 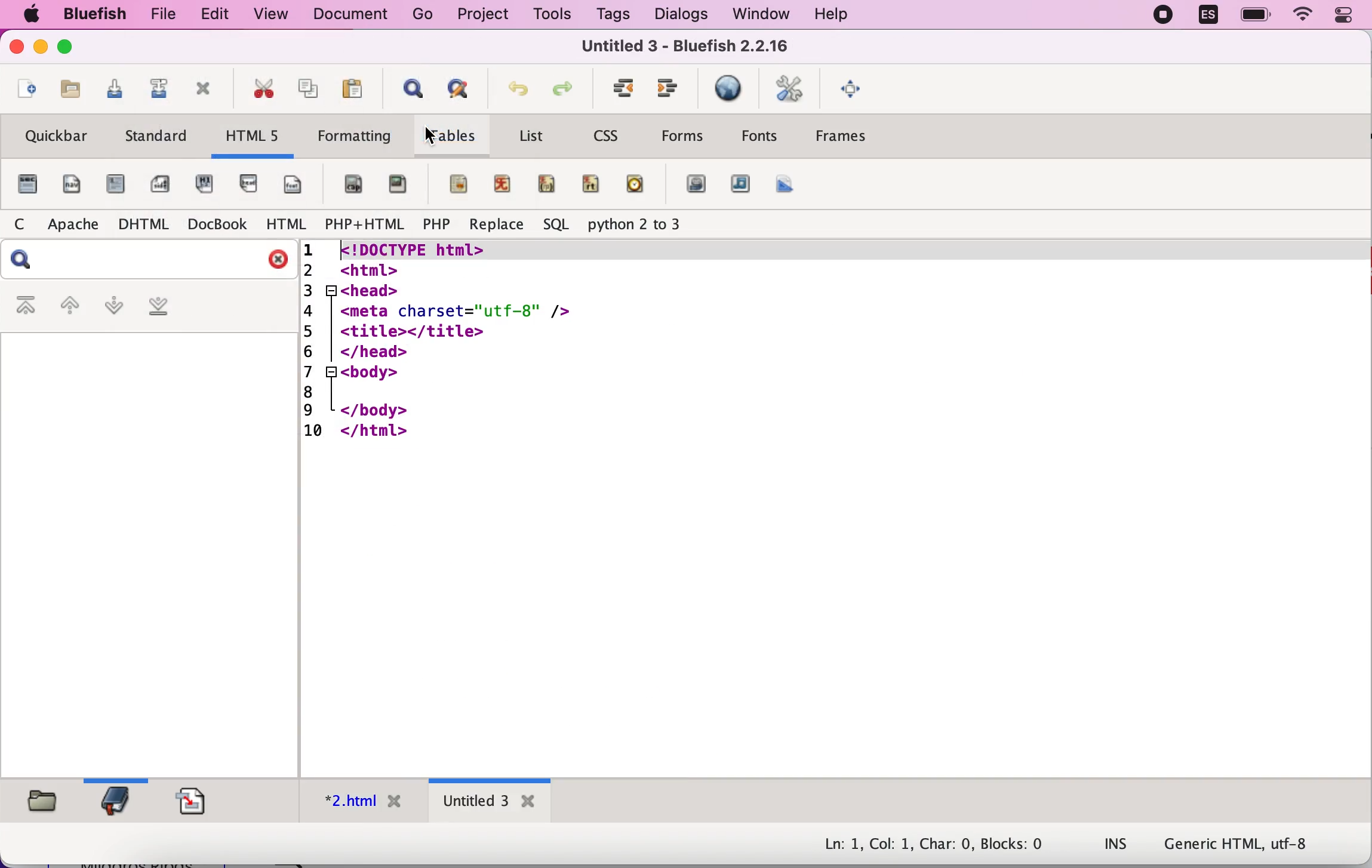 What do you see at coordinates (295, 184) in the screenshot?
I see `footer` at bounding box center [295, 184].